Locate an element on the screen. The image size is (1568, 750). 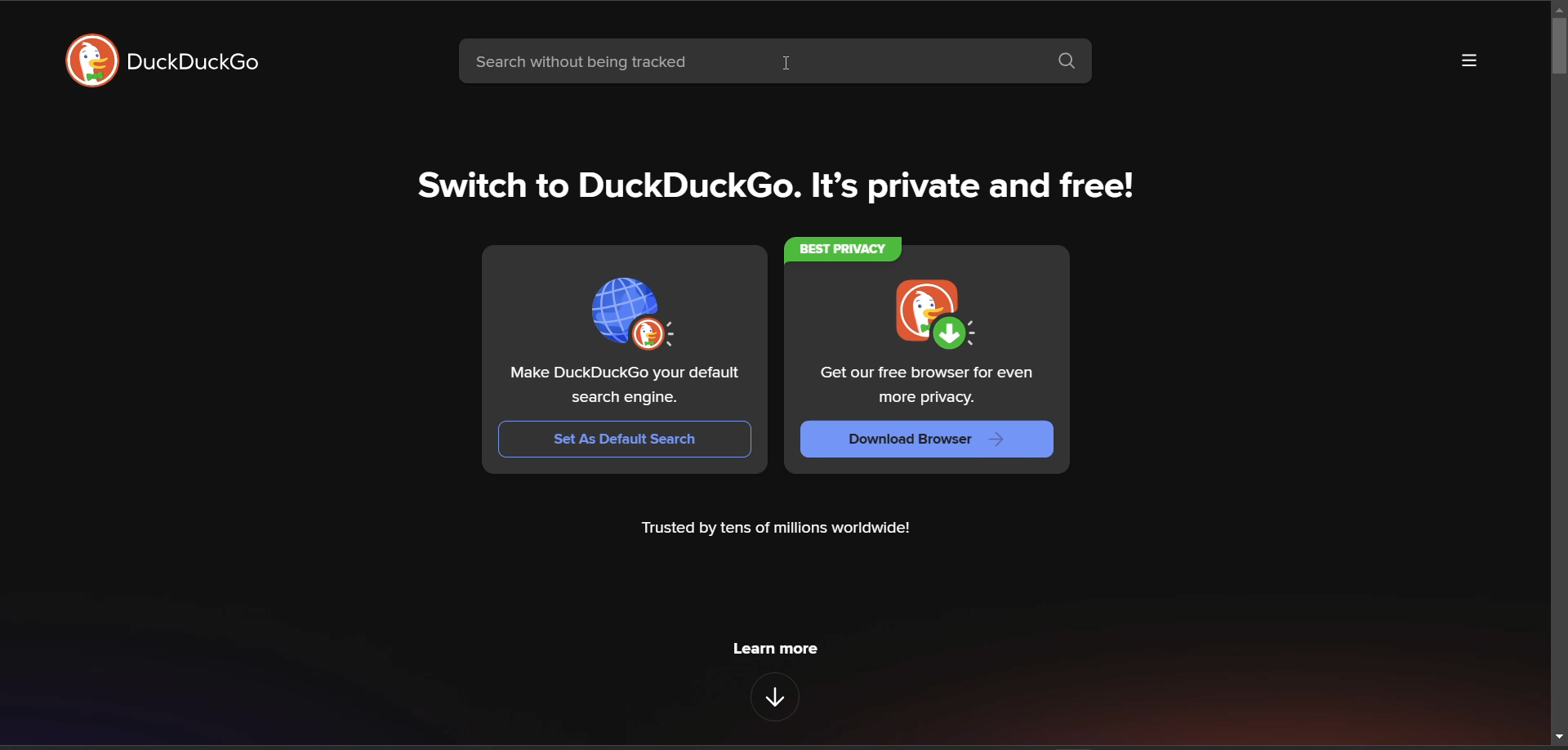
logo is located at coordinates (87, 61).